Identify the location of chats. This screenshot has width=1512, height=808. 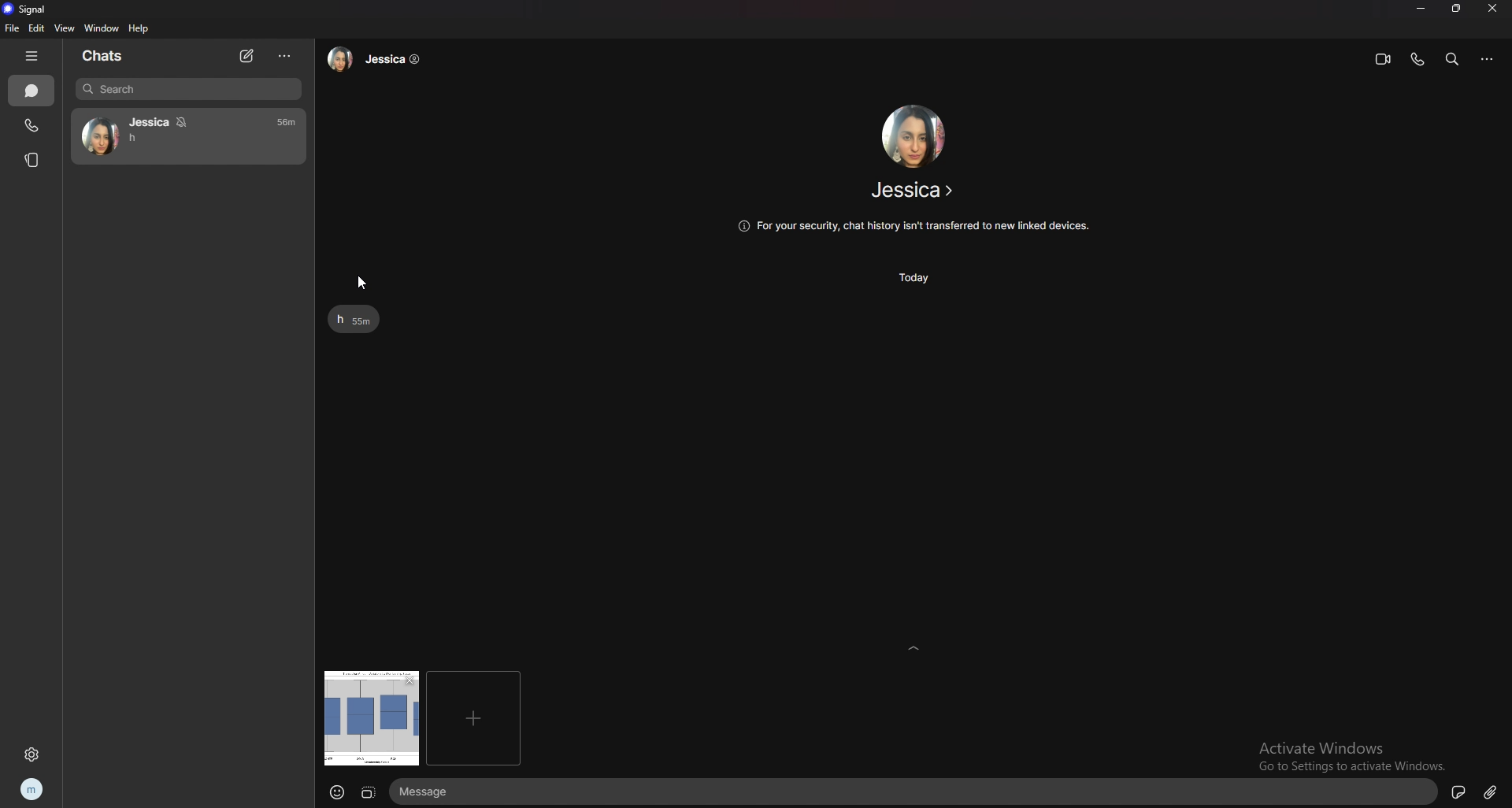
(109, 57).